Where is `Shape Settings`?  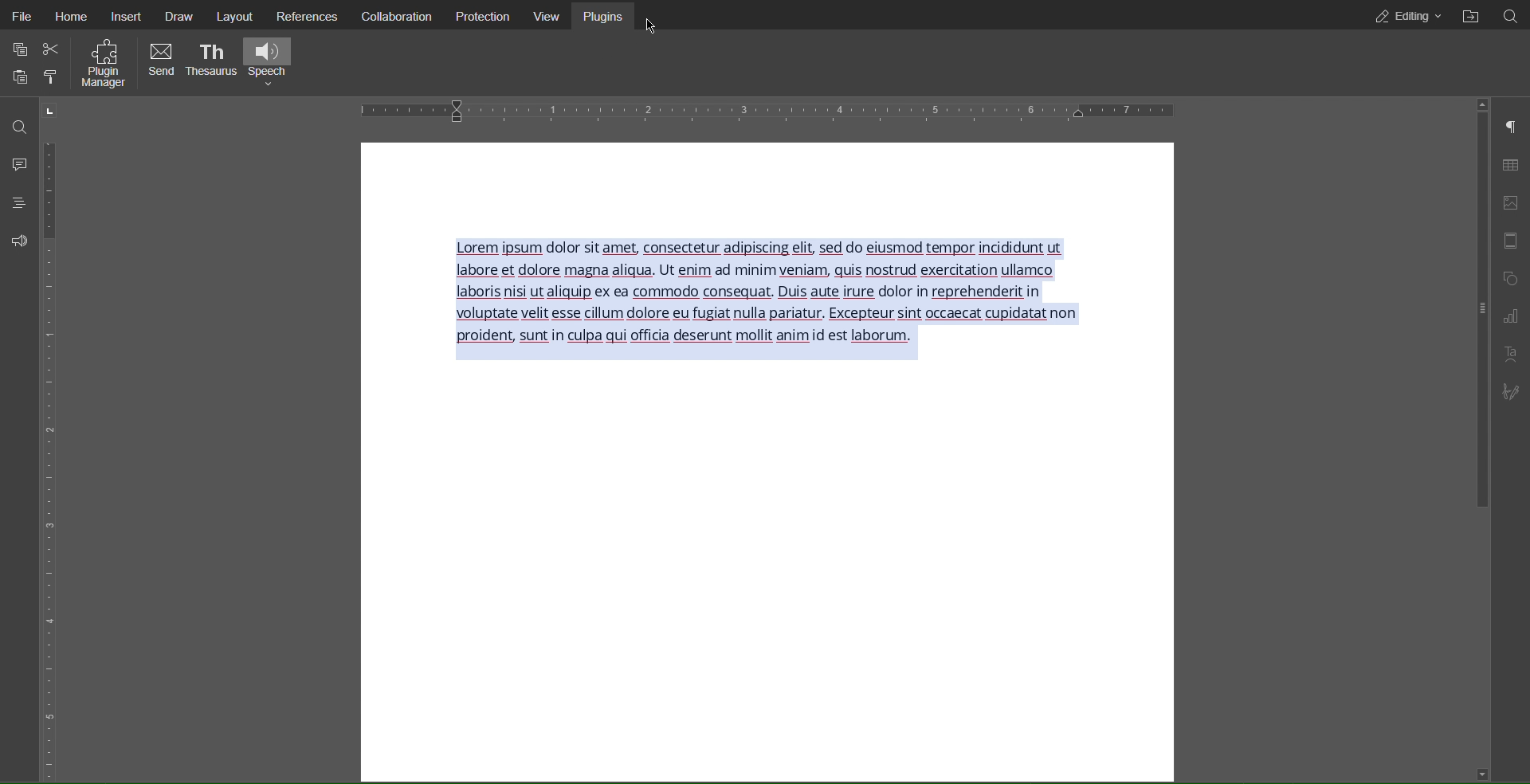 Shape Settings is located at coordinates (1512, 278).